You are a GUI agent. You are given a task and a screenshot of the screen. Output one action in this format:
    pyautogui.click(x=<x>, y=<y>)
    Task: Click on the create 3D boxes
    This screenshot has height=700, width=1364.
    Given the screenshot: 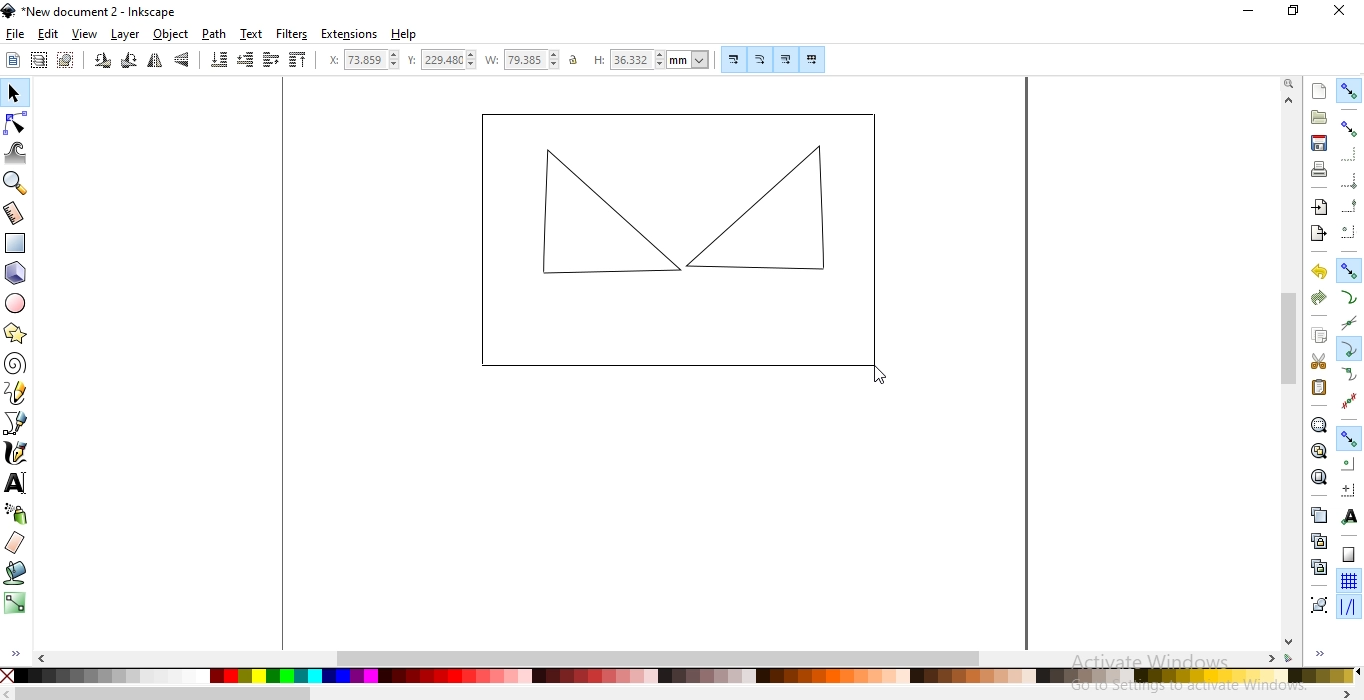 What is the action you would take?
    pyautogui.click(x=15, y=274)
    